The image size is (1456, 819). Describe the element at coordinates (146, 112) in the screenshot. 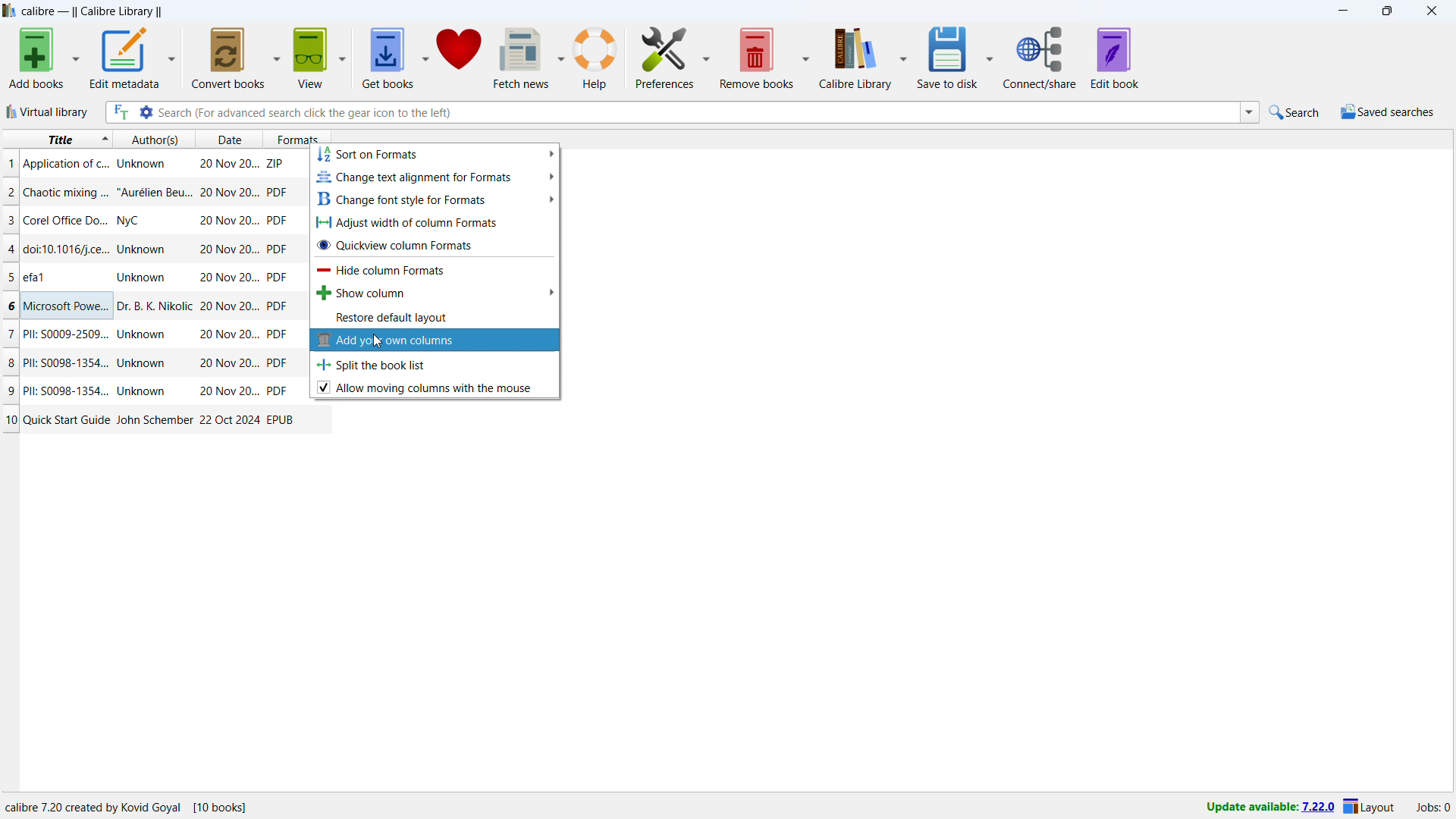

I see `advanced search` at that location.